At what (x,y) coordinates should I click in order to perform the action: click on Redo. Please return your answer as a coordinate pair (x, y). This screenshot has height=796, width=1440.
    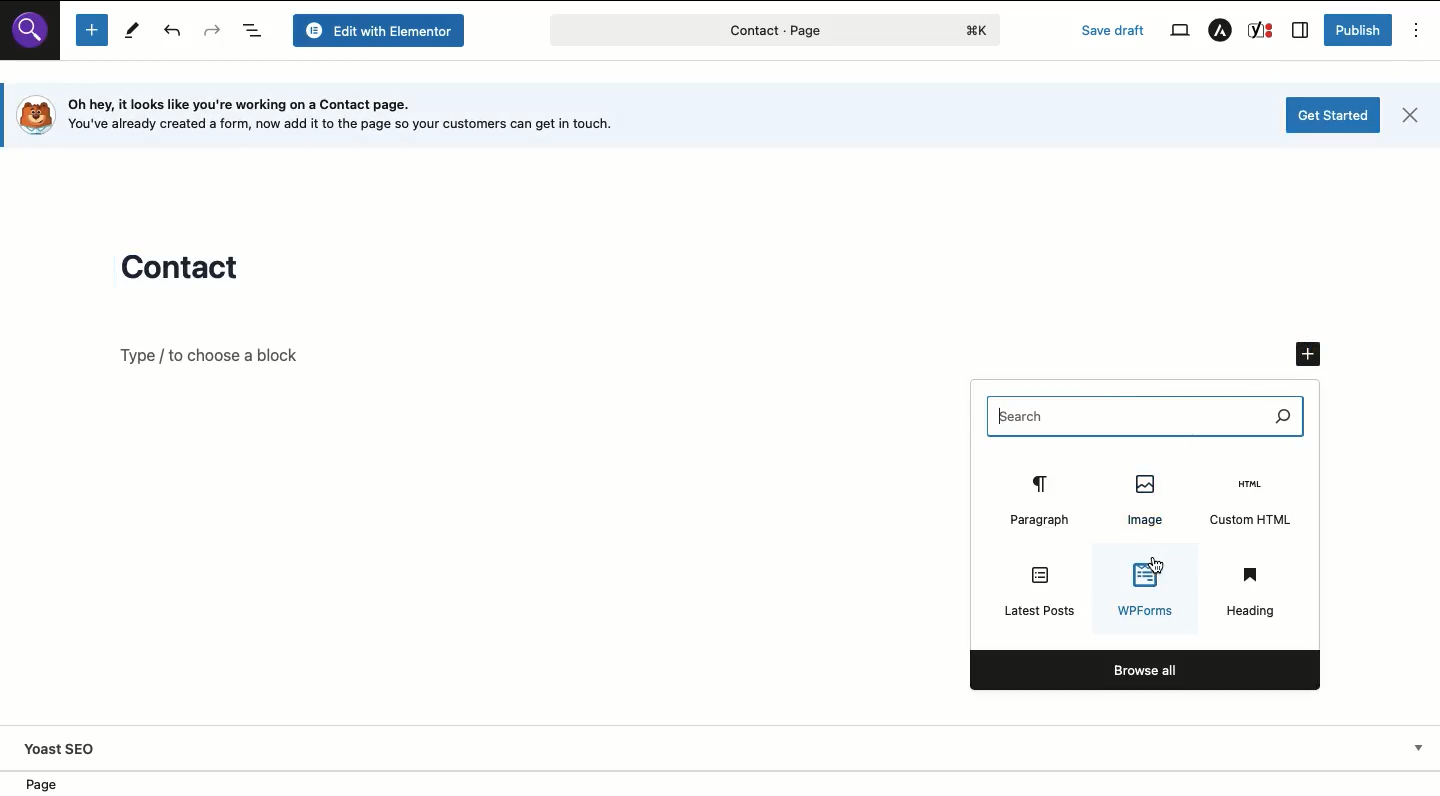
    Looking at the image, I should click on (213, 32).